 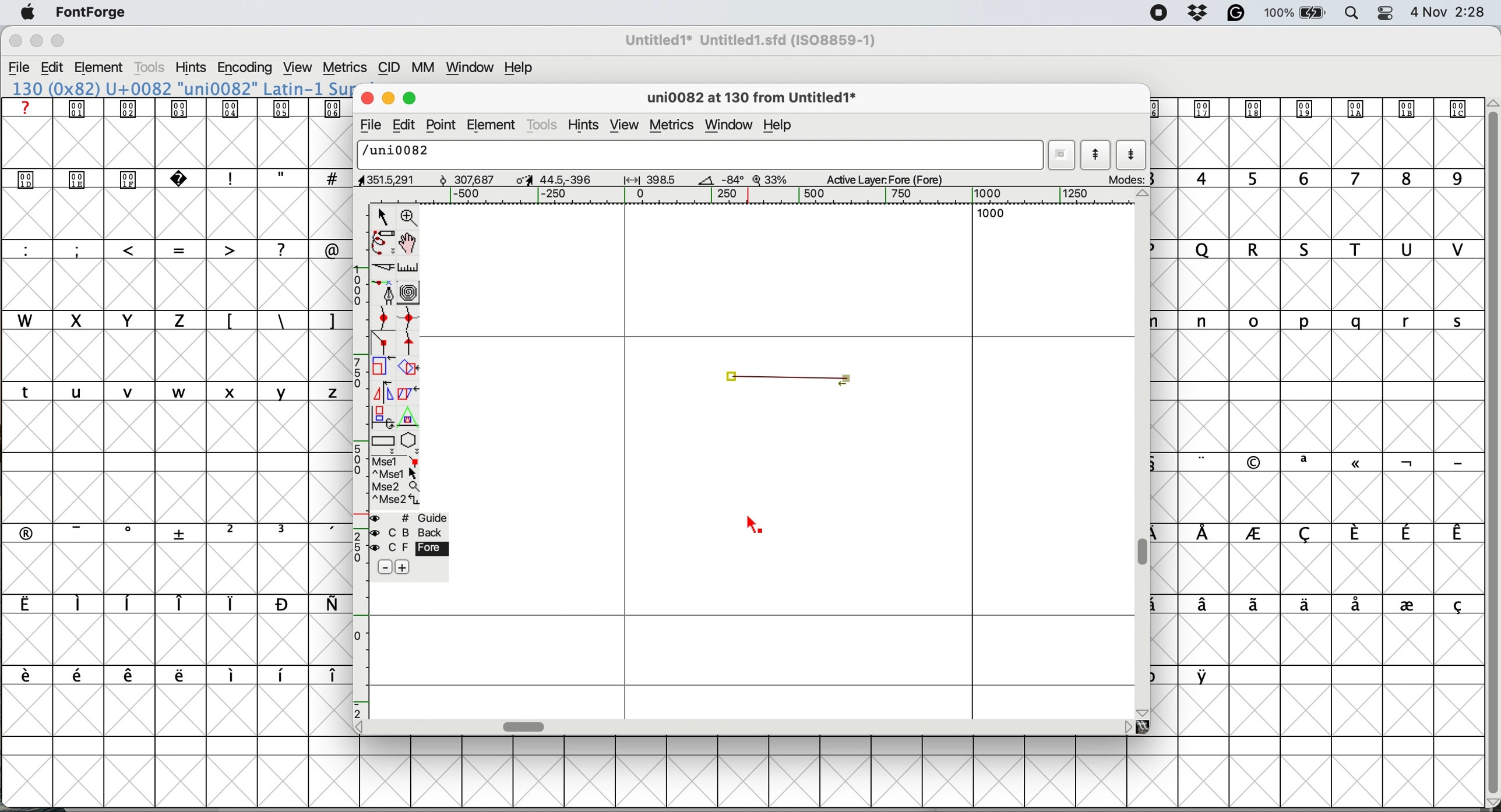 I want to click on back, so click(x=410, y=532).